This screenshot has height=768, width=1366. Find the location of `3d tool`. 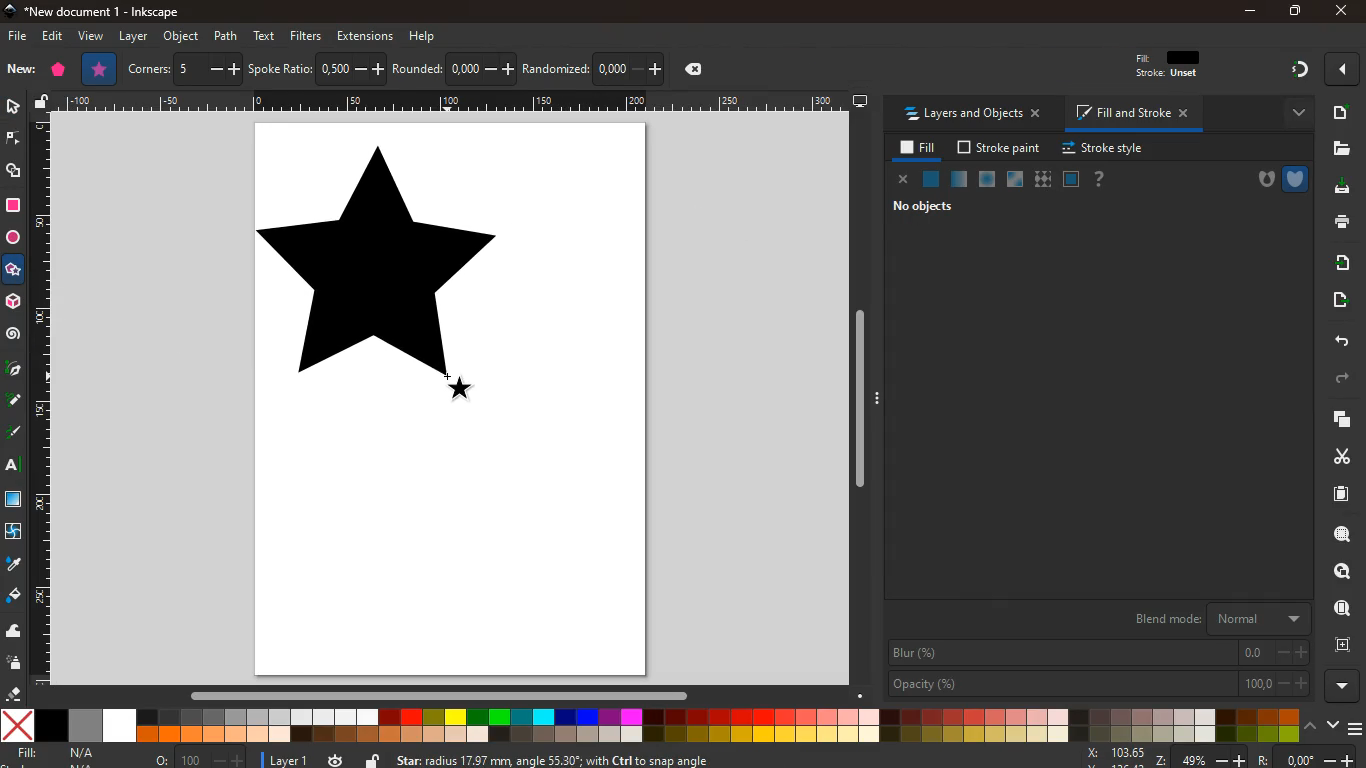

3d tool is located at coordinates (13, 302).